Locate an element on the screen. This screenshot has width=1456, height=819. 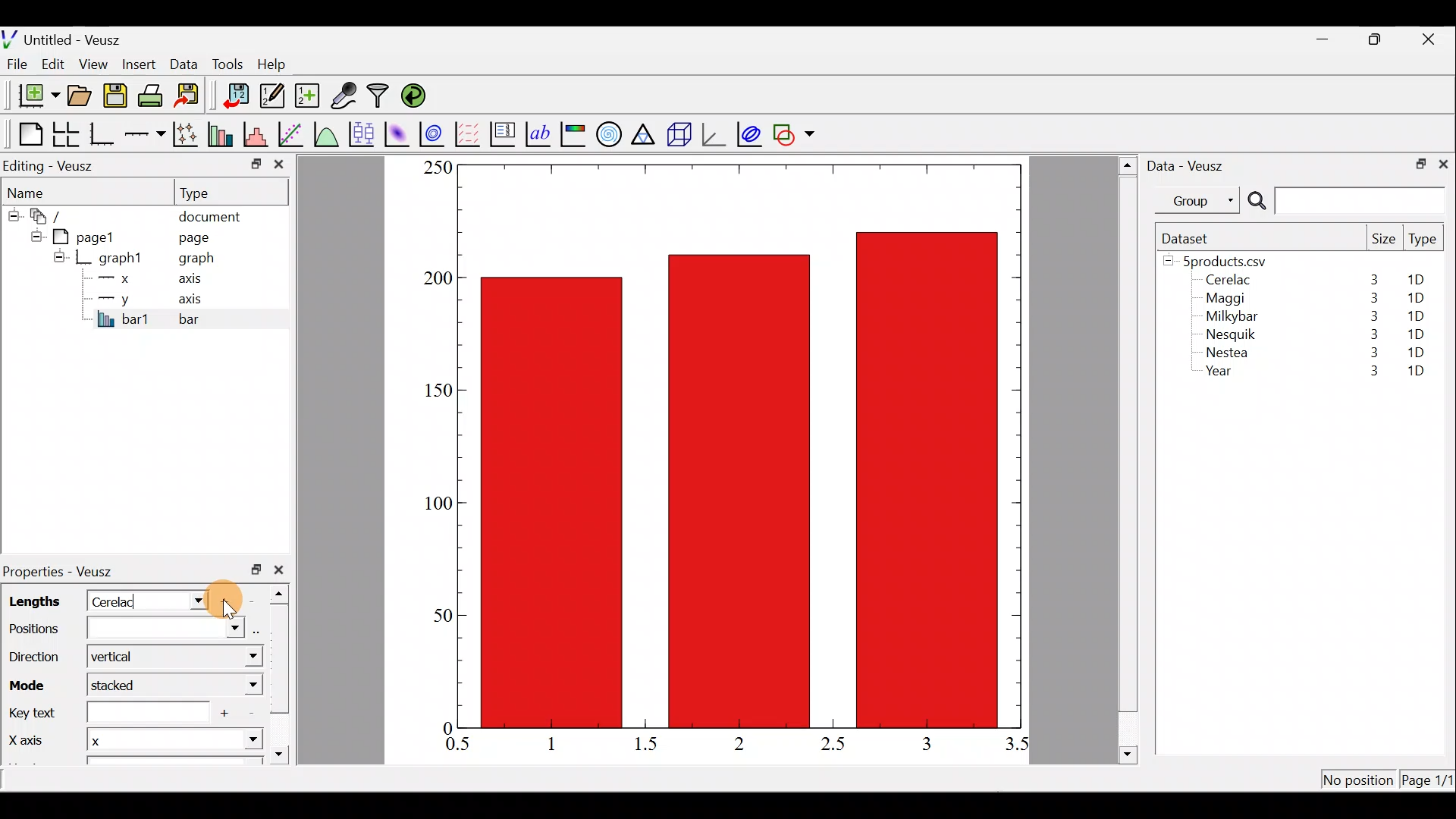
50 is located at coordinates (441, 614).